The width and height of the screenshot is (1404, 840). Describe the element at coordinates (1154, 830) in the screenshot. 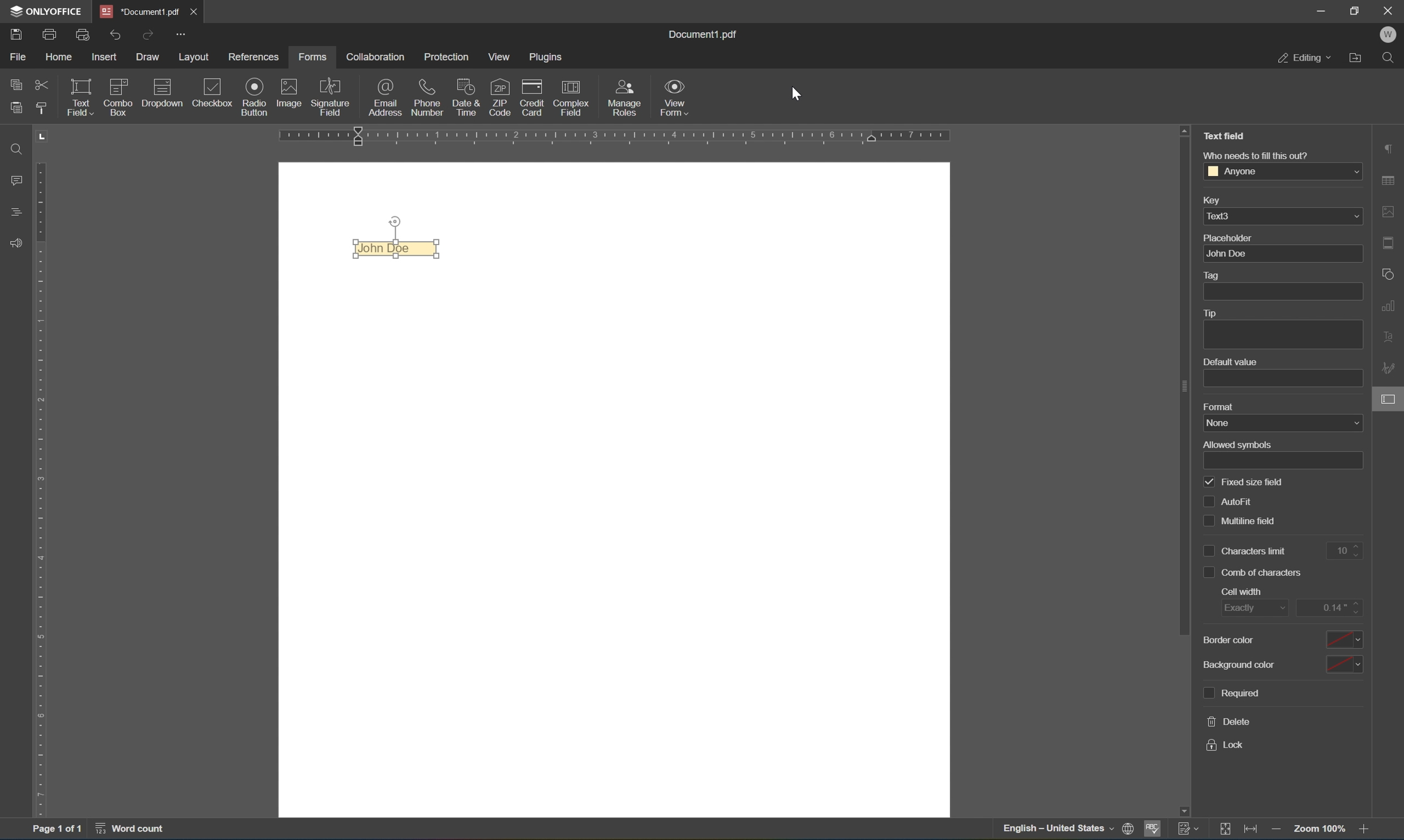

I see `spell checking` at that location.